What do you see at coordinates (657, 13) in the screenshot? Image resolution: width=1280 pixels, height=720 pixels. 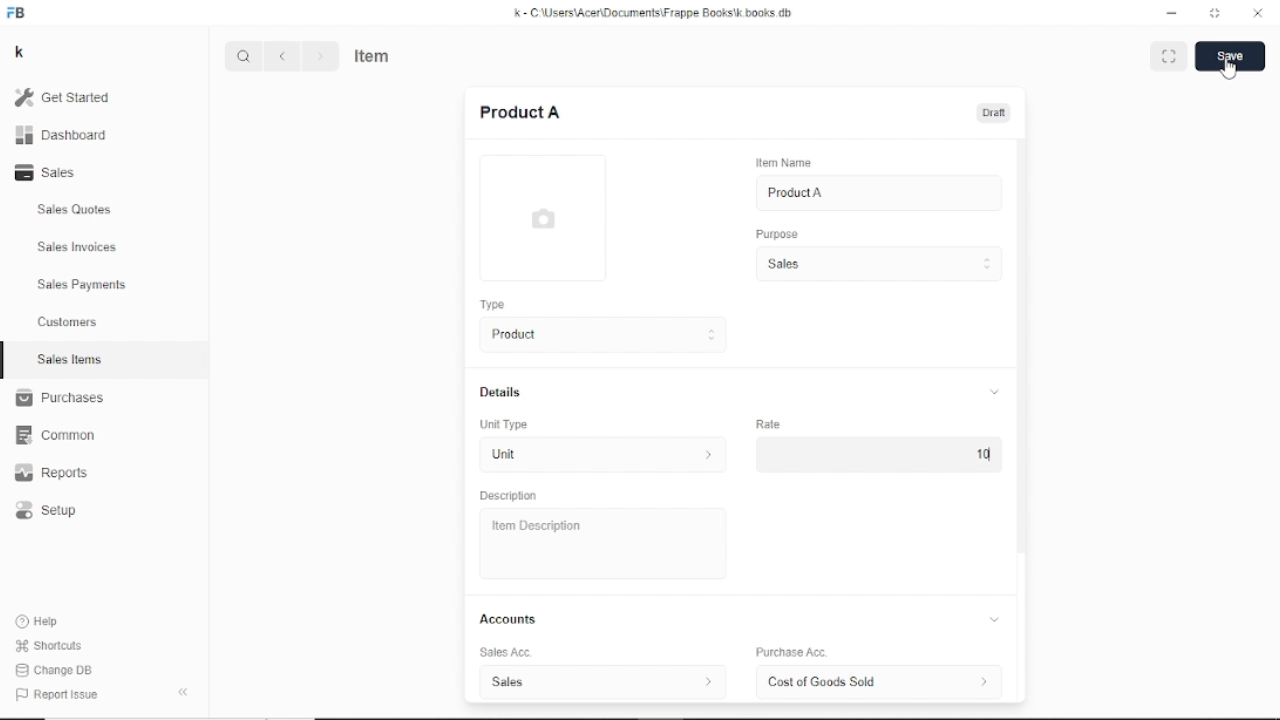 I see `K -C\Users\Acer\Documents\ Frappe Books\k books db` at bounding box center [657, 13].